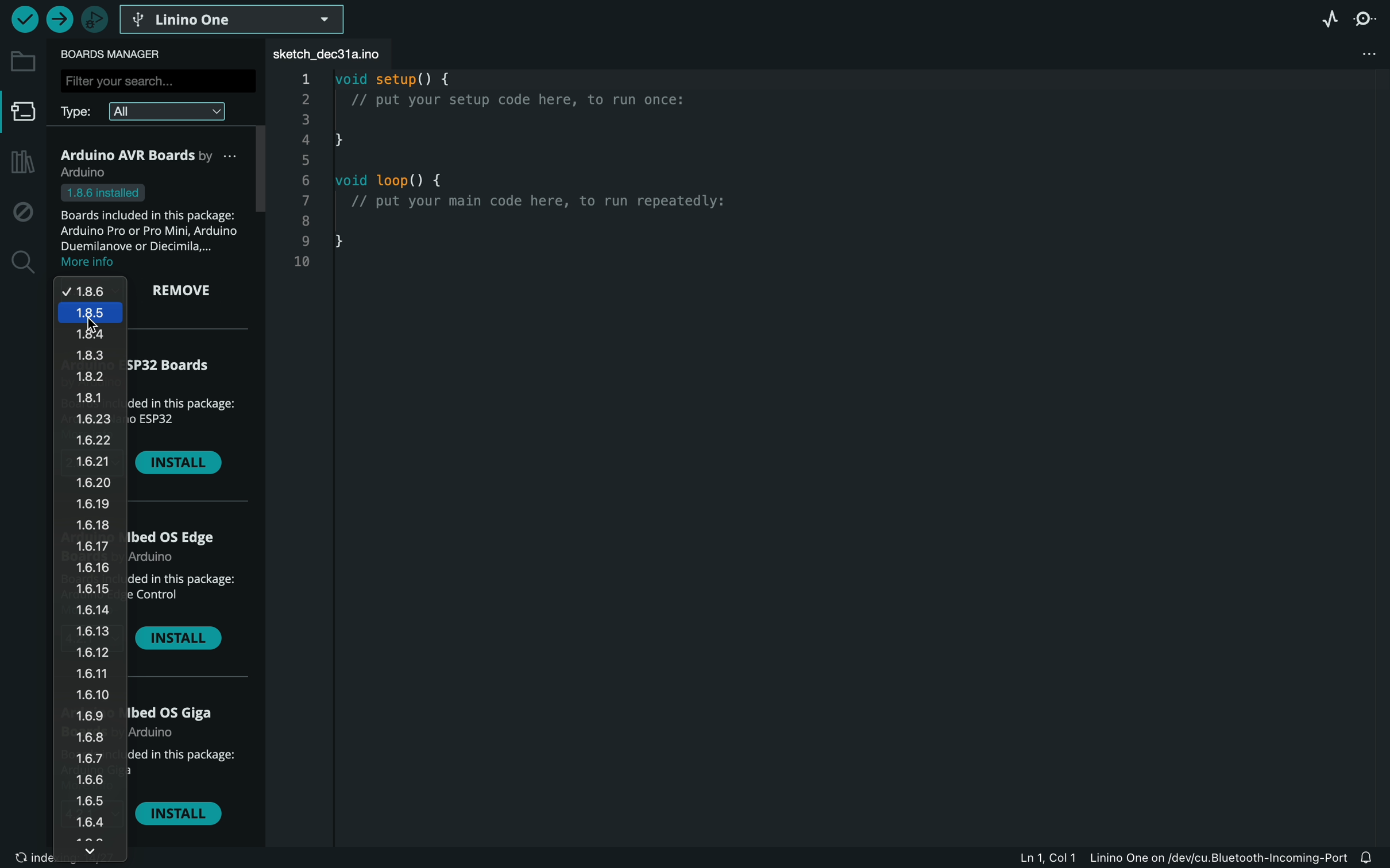 The width and height of the screenshot is (1390, 868). What do you see at coordinates (187, 419) in the screenshot?
I see `description` at bounding box center [187, 419].